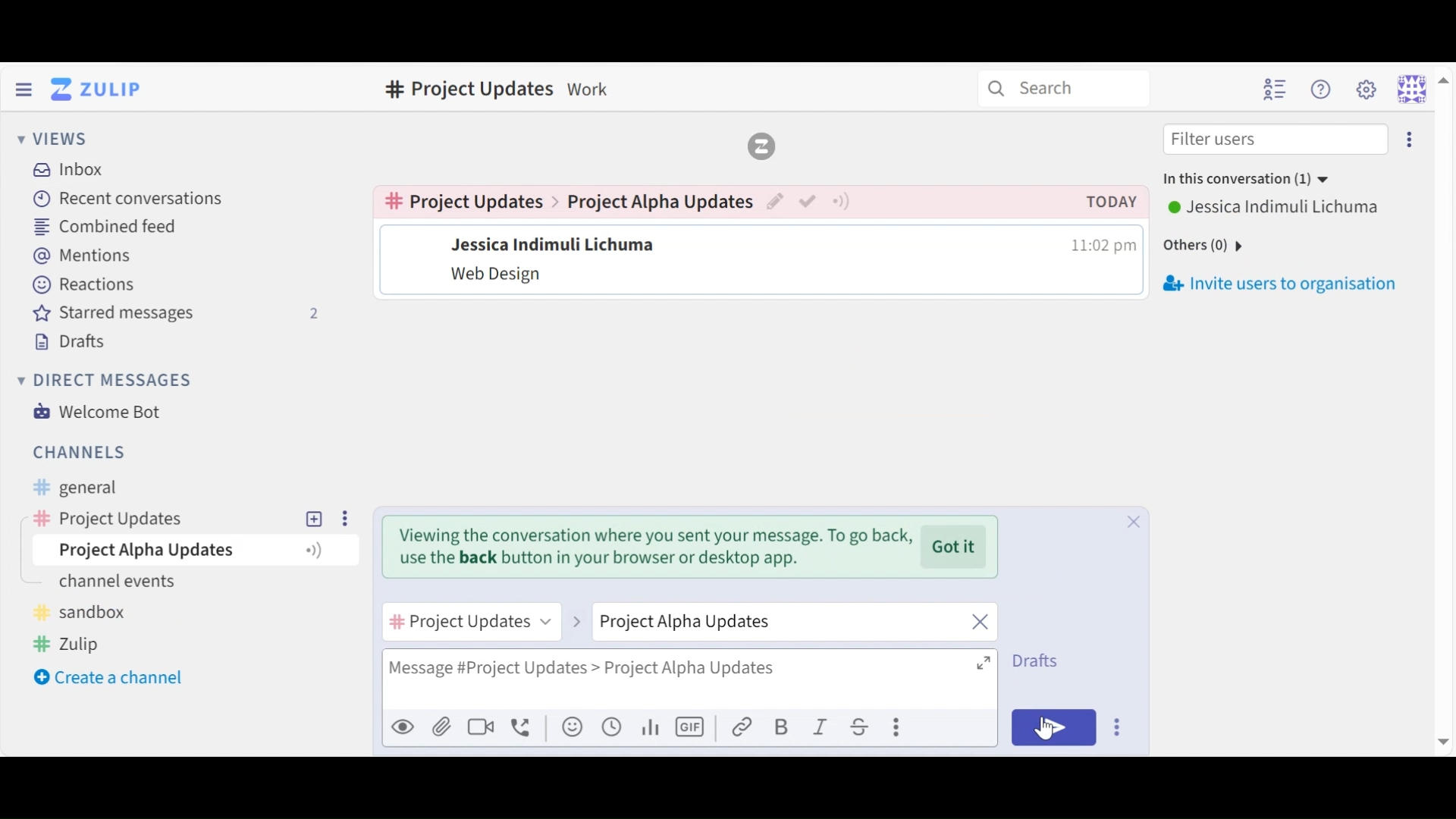  I want to click on Mark as resolved, so click(806, 202).